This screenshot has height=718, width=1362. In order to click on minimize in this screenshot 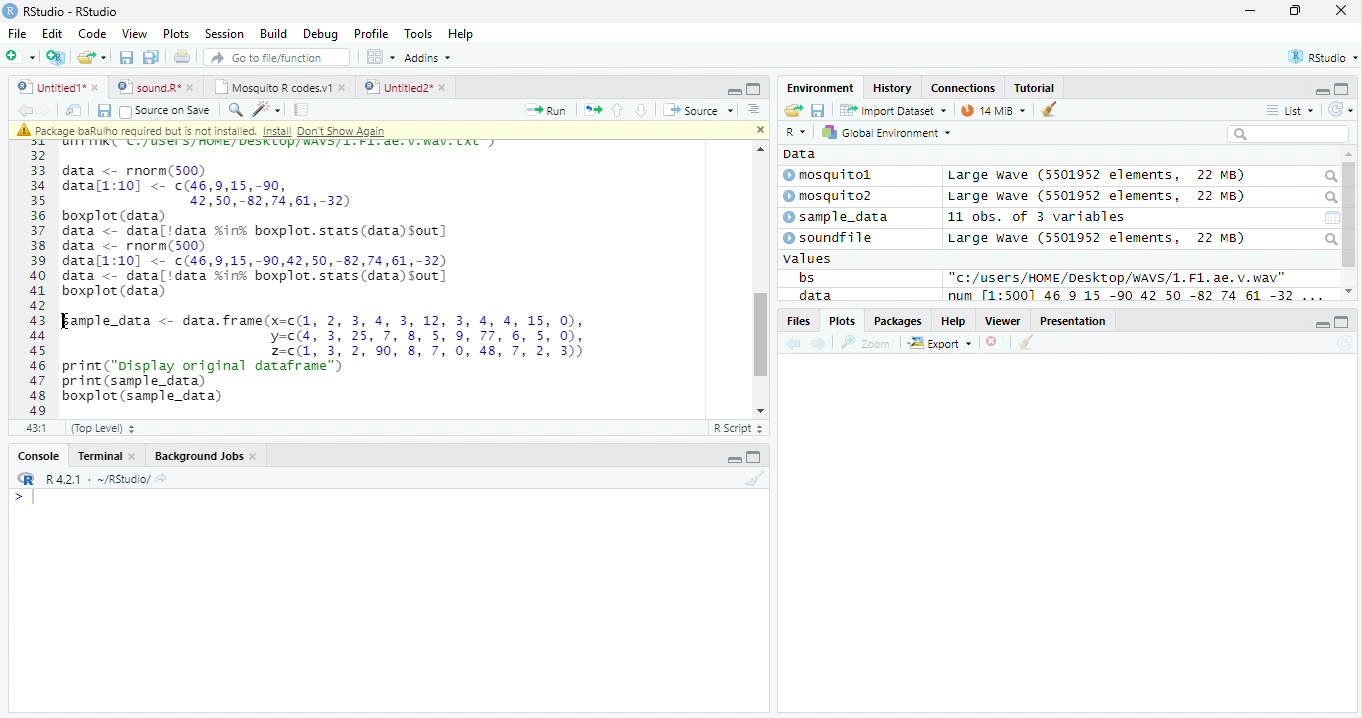, I will do `click(1252, 10)`.